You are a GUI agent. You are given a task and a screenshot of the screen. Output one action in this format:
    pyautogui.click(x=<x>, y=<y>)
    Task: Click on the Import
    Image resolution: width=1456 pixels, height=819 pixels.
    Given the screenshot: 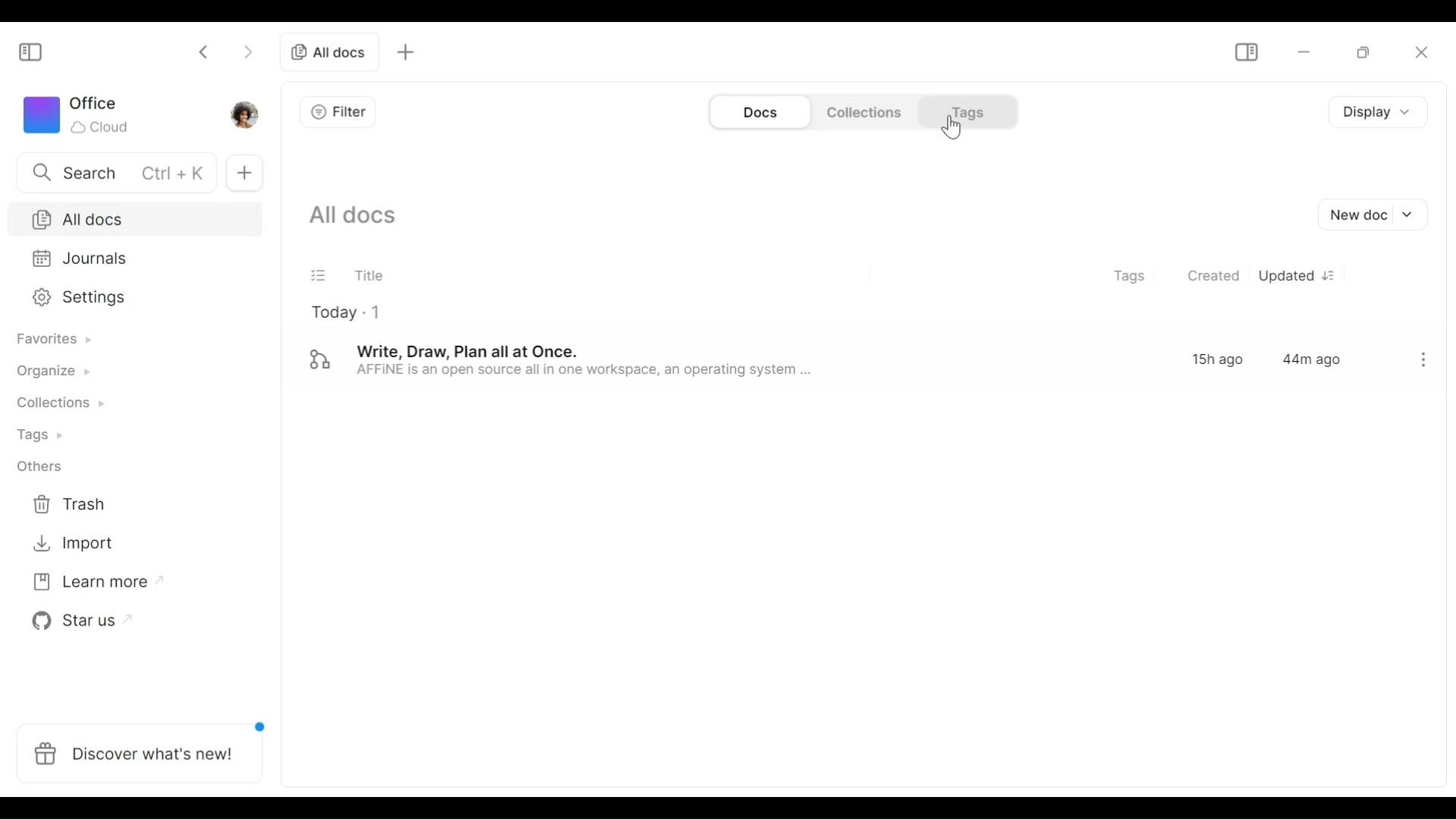 What is the action you would take?
    pyautogui.click(x=78, y=546)
    